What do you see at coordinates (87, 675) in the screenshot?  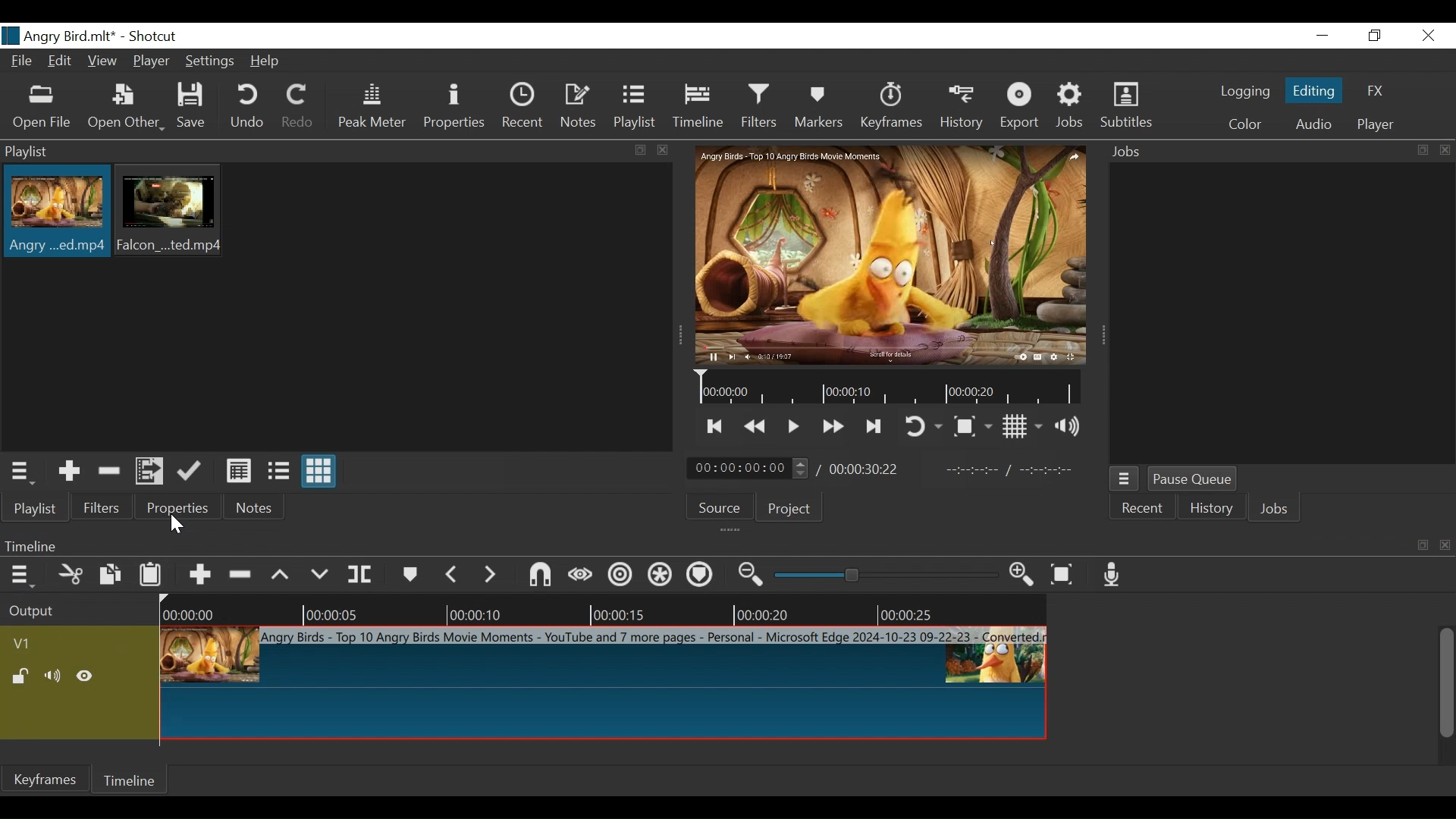 I see `Hide` at bounding box center [87, 675].